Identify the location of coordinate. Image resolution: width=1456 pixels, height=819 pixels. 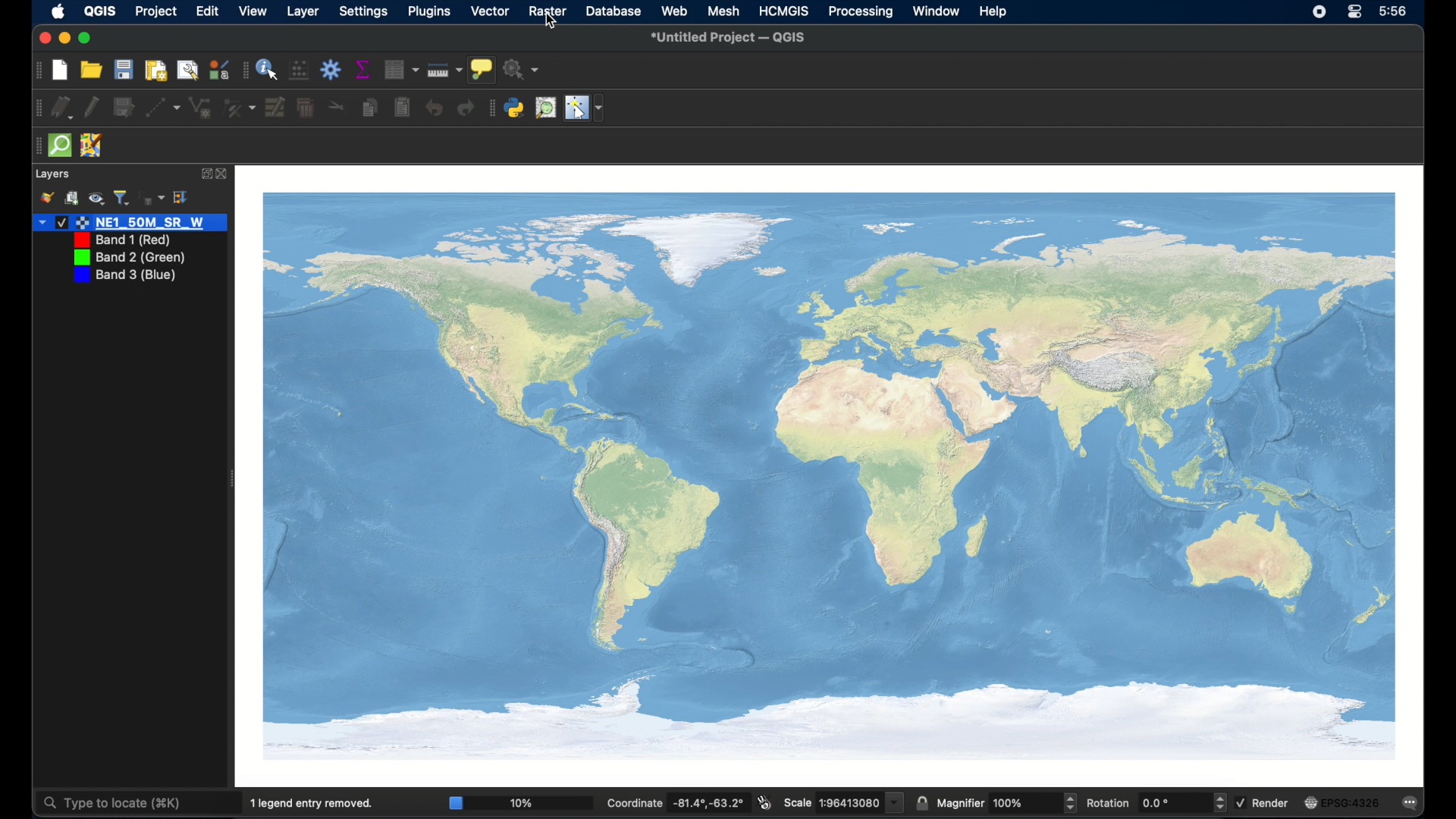
(680, 802).